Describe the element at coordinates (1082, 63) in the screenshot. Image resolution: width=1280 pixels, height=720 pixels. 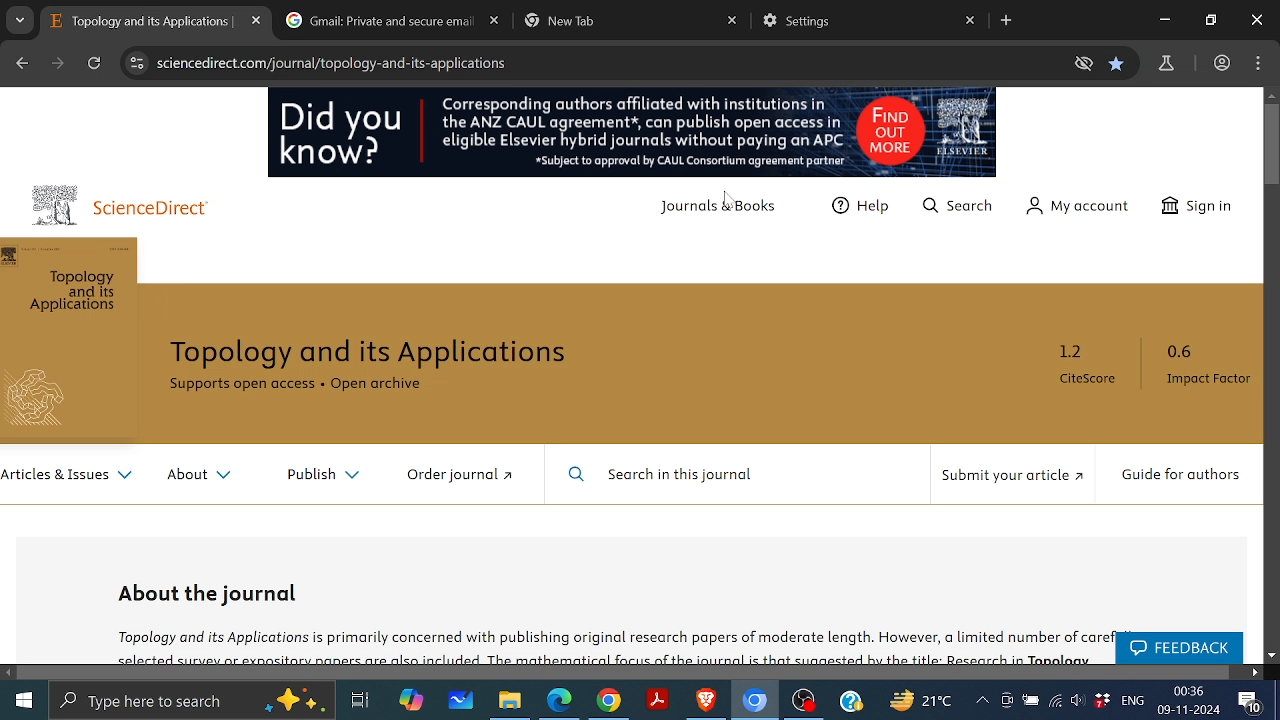
I see `hide` at that location.